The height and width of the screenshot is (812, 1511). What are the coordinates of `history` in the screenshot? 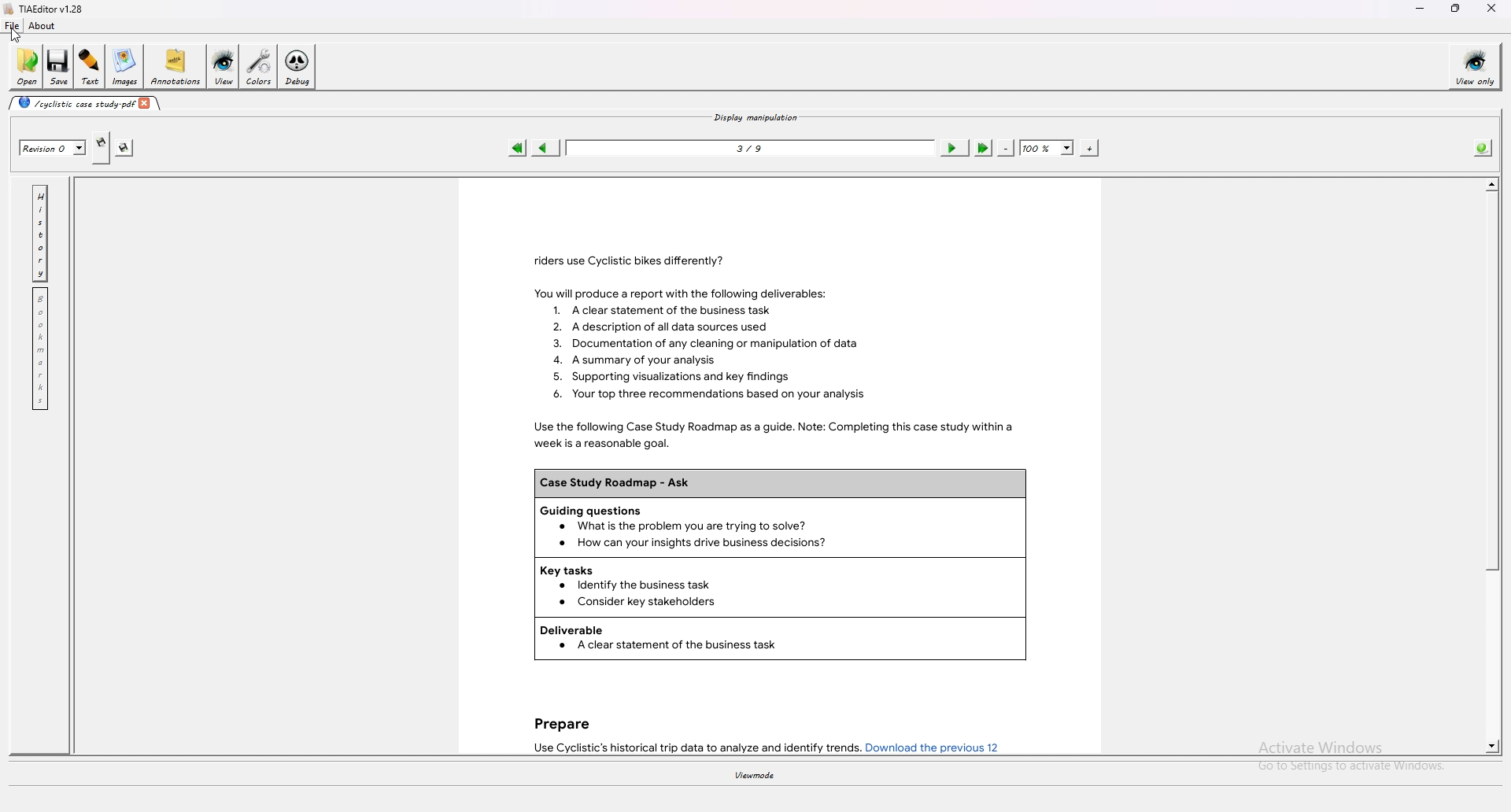 It's located at (42, 232).